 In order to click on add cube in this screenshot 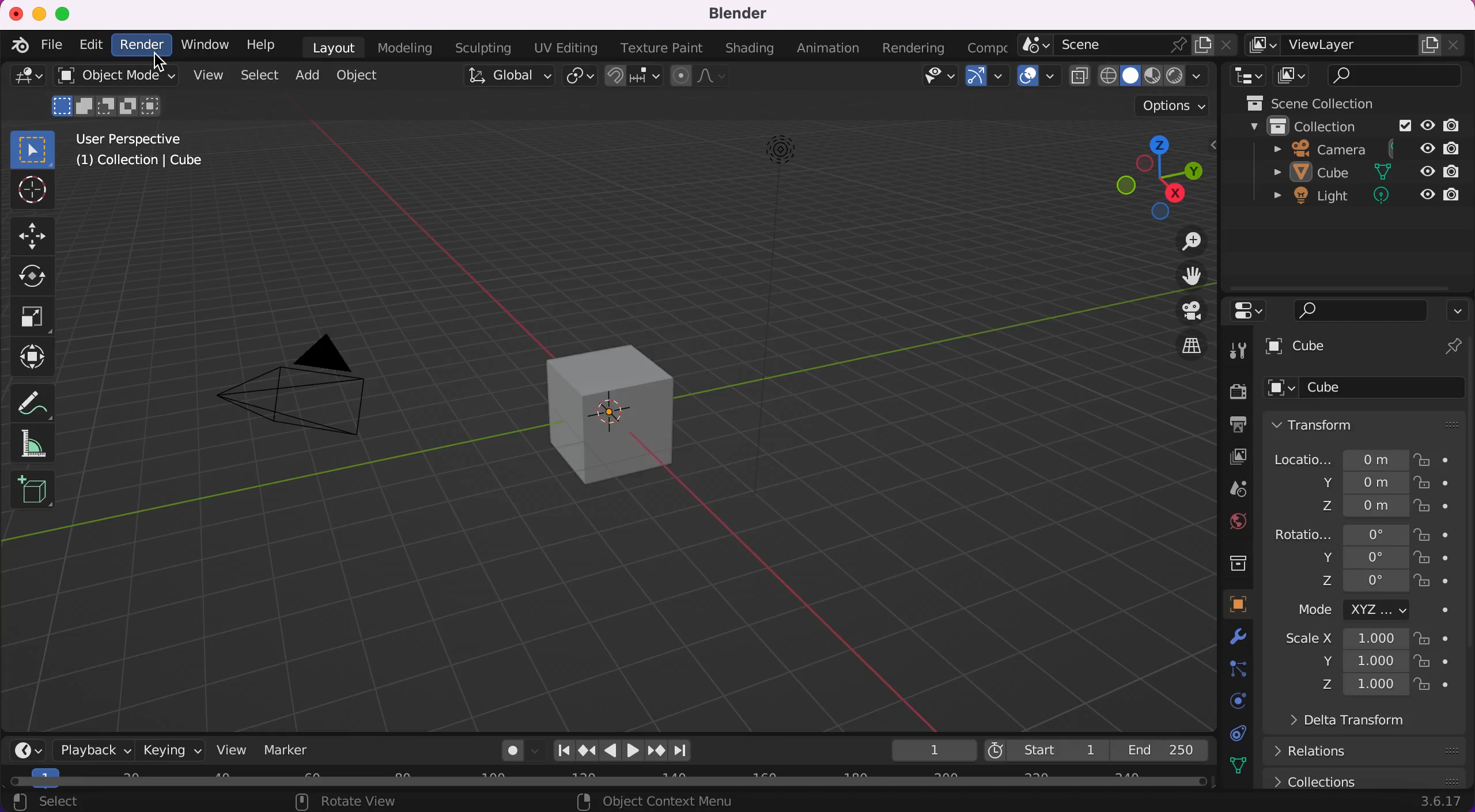, I will do `click(33, 494)`.